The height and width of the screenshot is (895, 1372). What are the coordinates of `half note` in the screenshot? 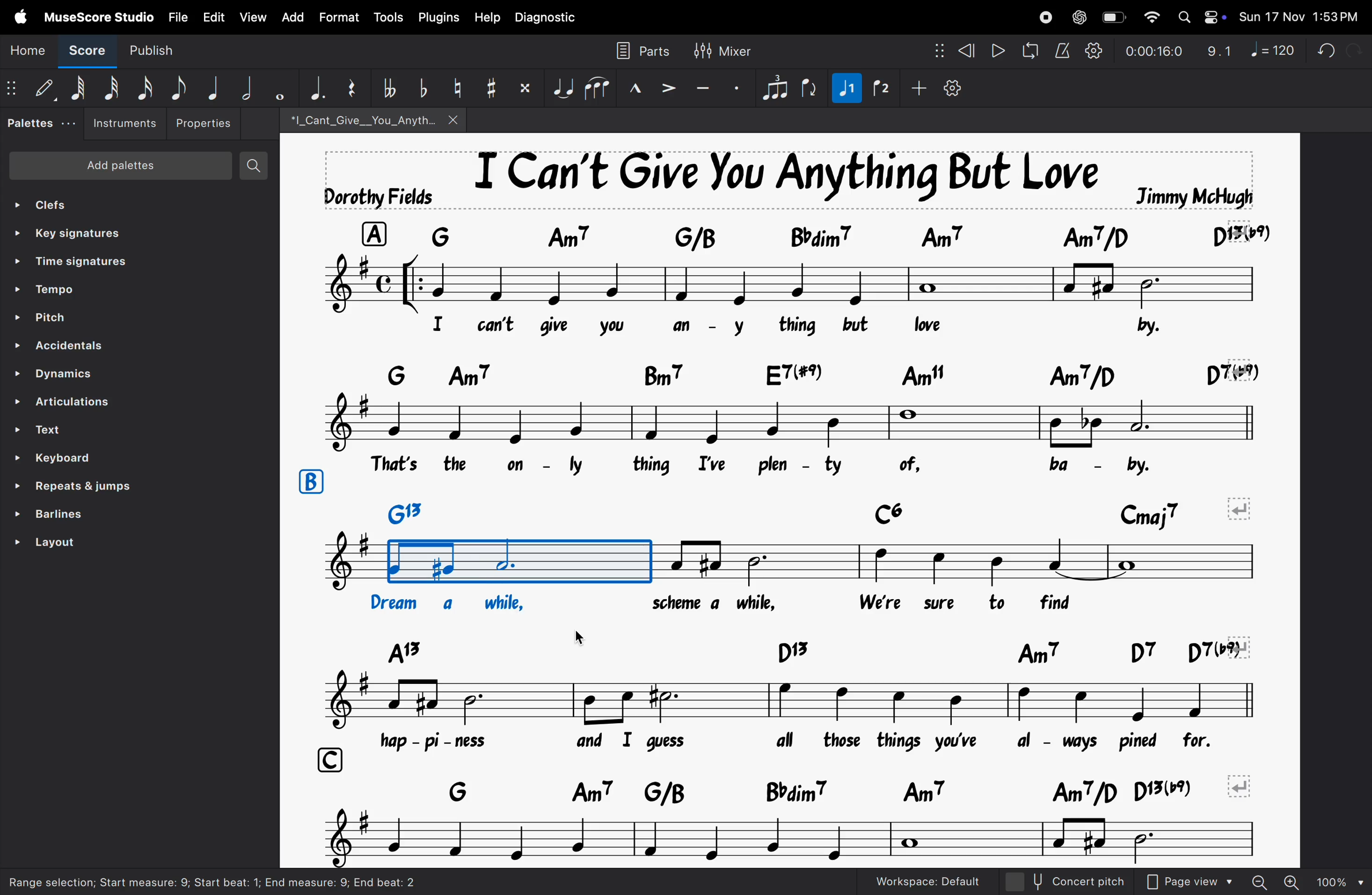 It's located at (244, 88).